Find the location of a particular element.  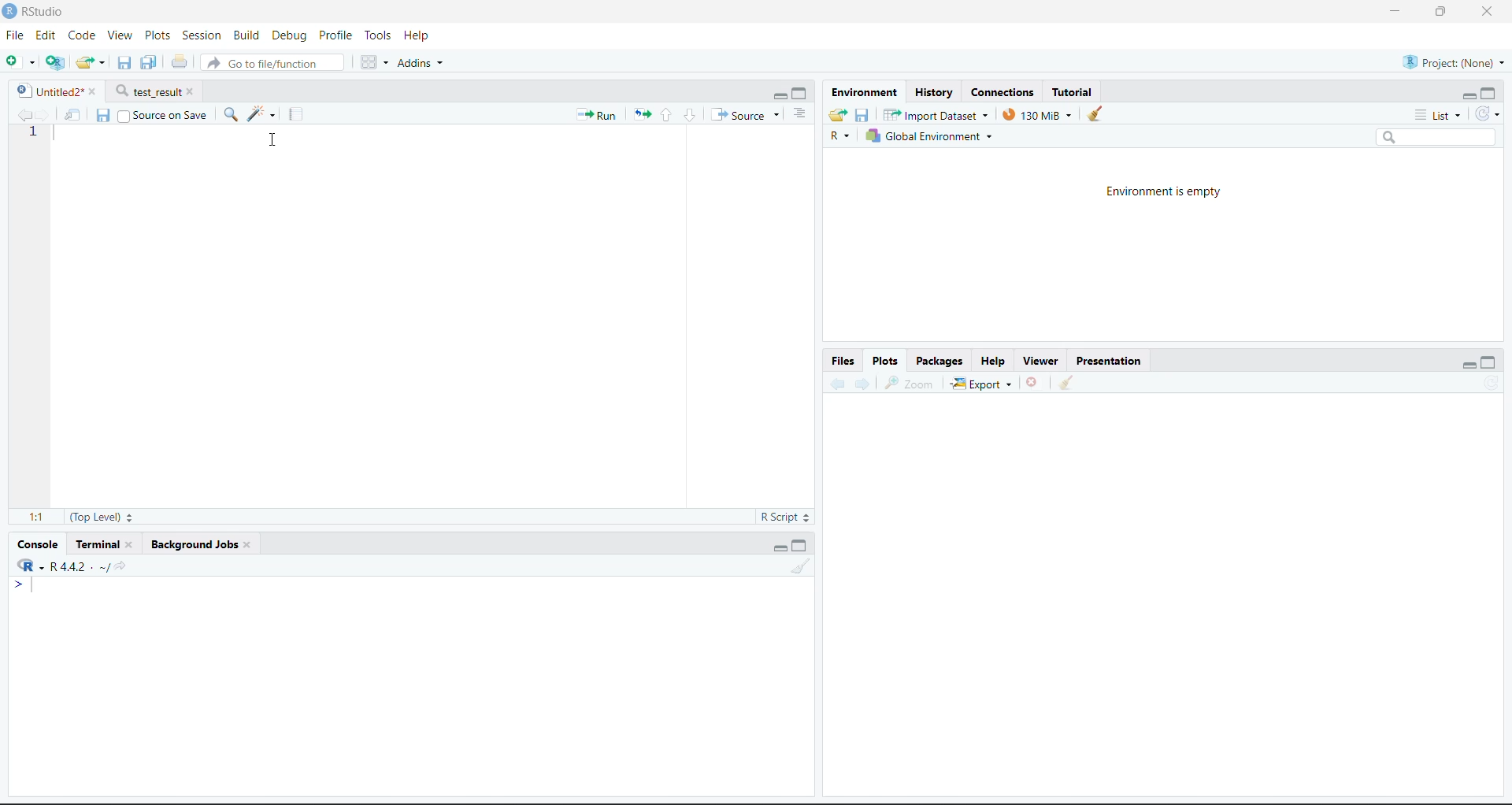

Go back to the previous source location (Ctrl + F9) is located at coordinates (20, 113).